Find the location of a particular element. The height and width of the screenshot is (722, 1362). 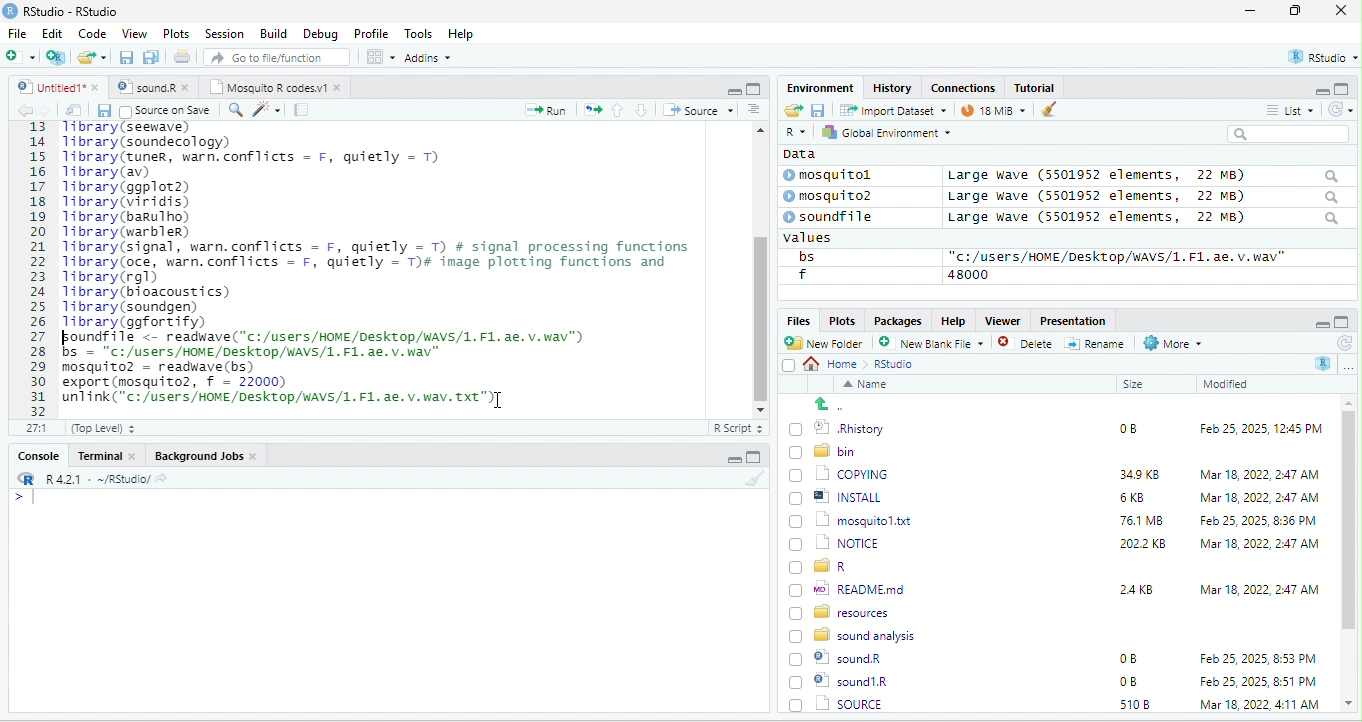

save is located at coordinates (128, 58).